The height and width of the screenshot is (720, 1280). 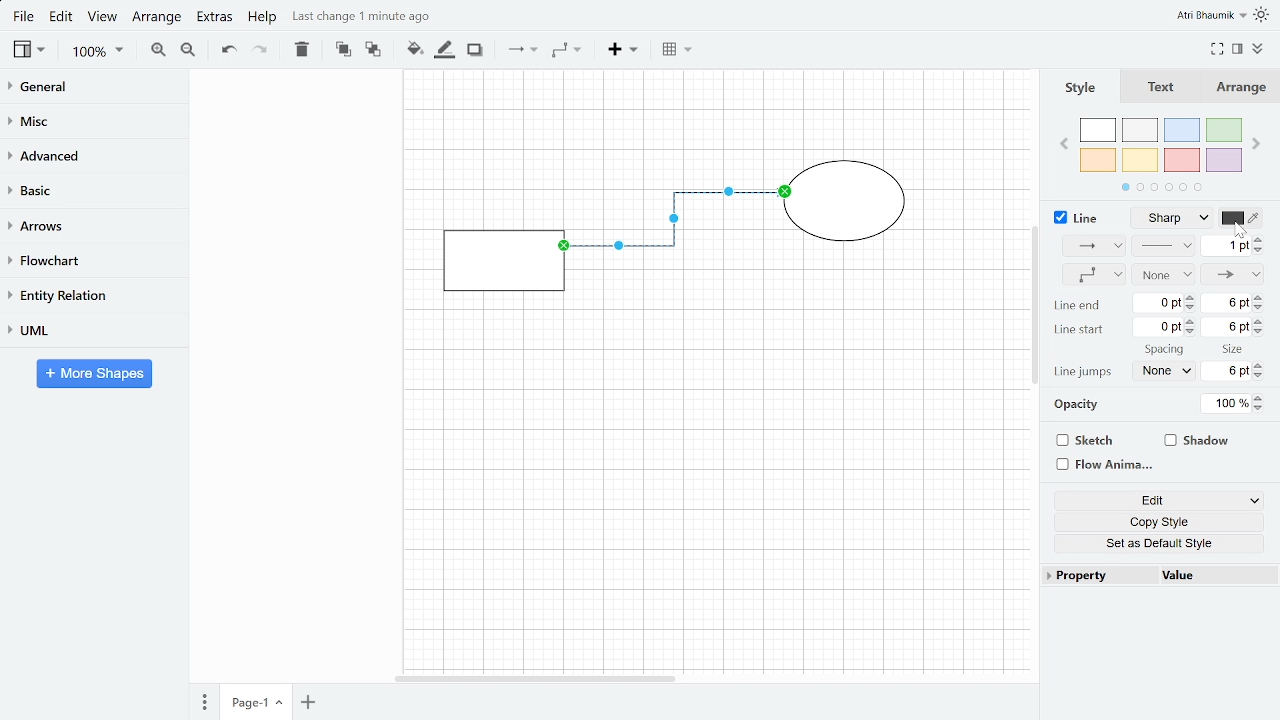 What do you see at coordinates (1154, 541) in the screenshot?
I see `Set as default style` at bounding box center [1154, 541].